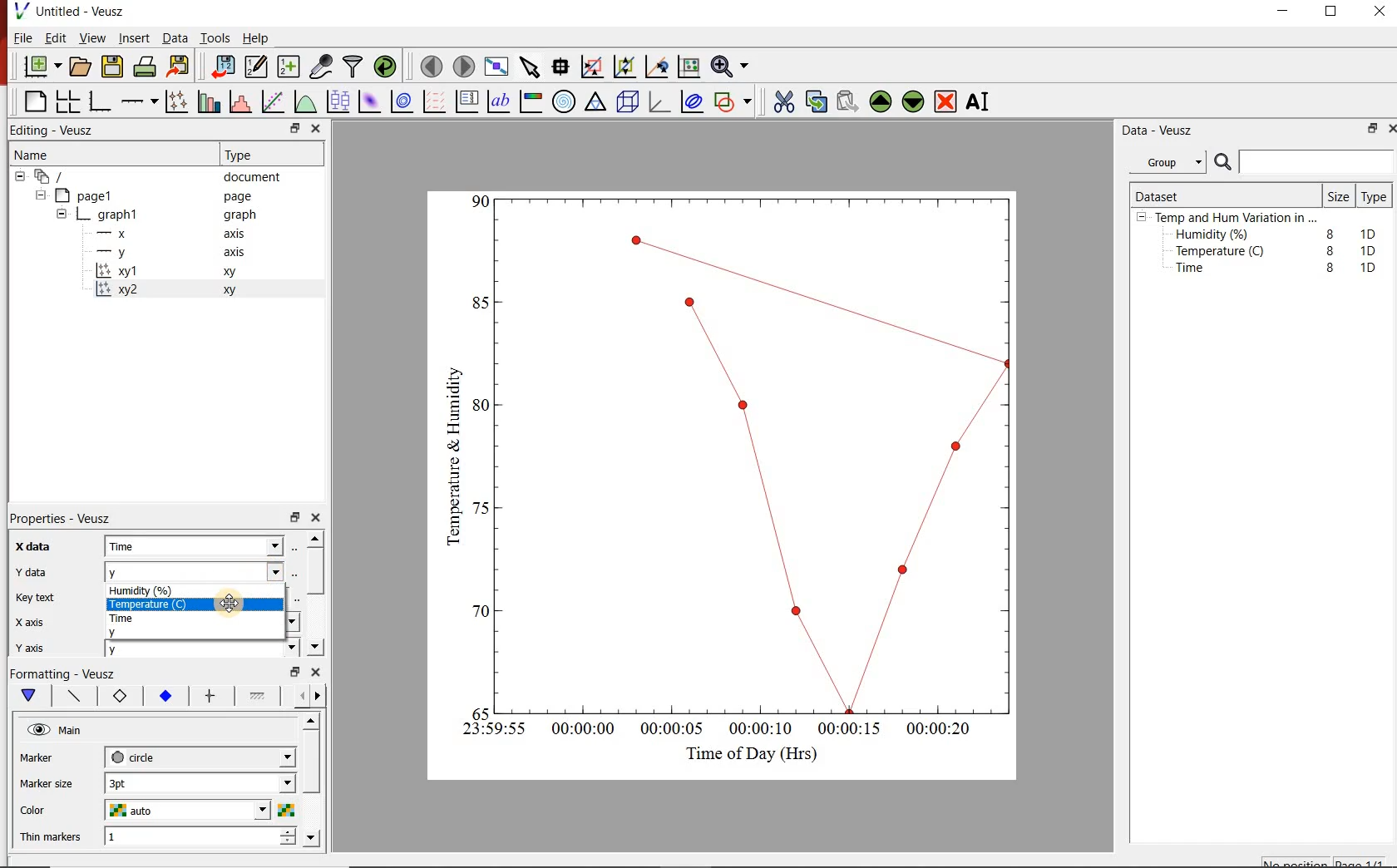 This screenshot has height=868, width=1397. I want to click on Edit, so click(56, 40).